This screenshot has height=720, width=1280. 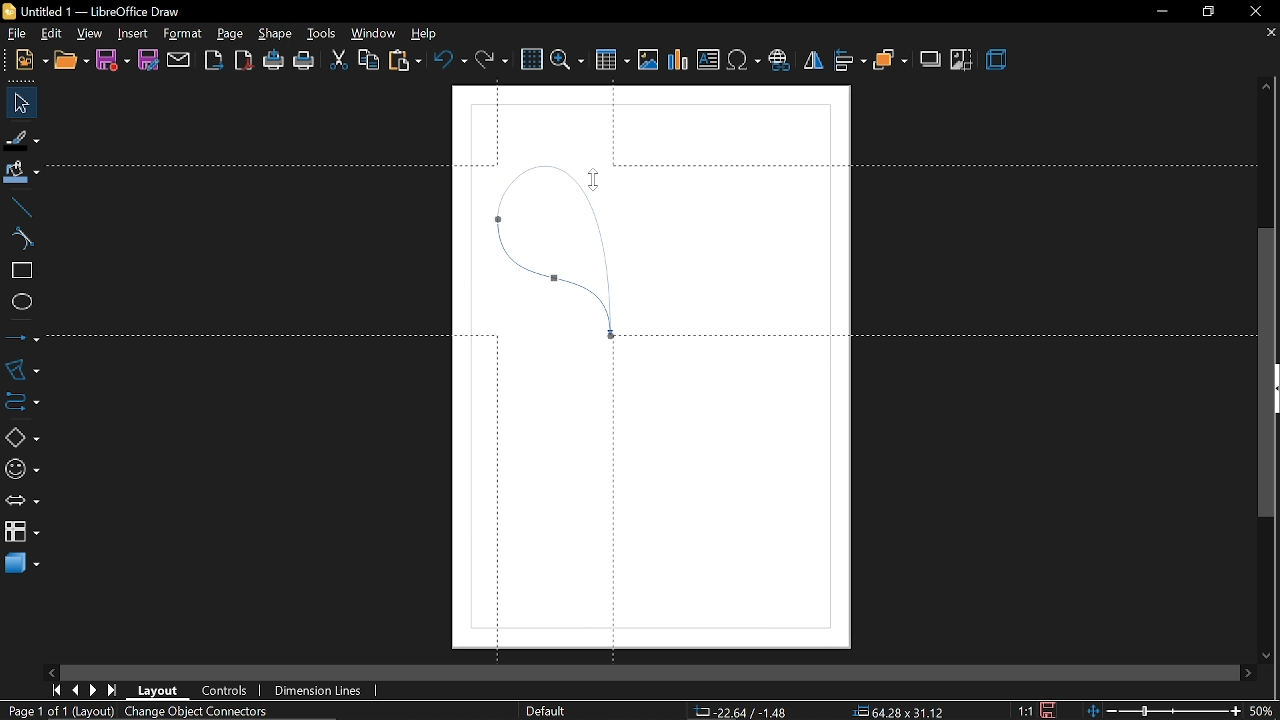 What do you see at coordinates (22, 533) in the screenshot?
I see `flowchart` at bounding box center [22, 533].